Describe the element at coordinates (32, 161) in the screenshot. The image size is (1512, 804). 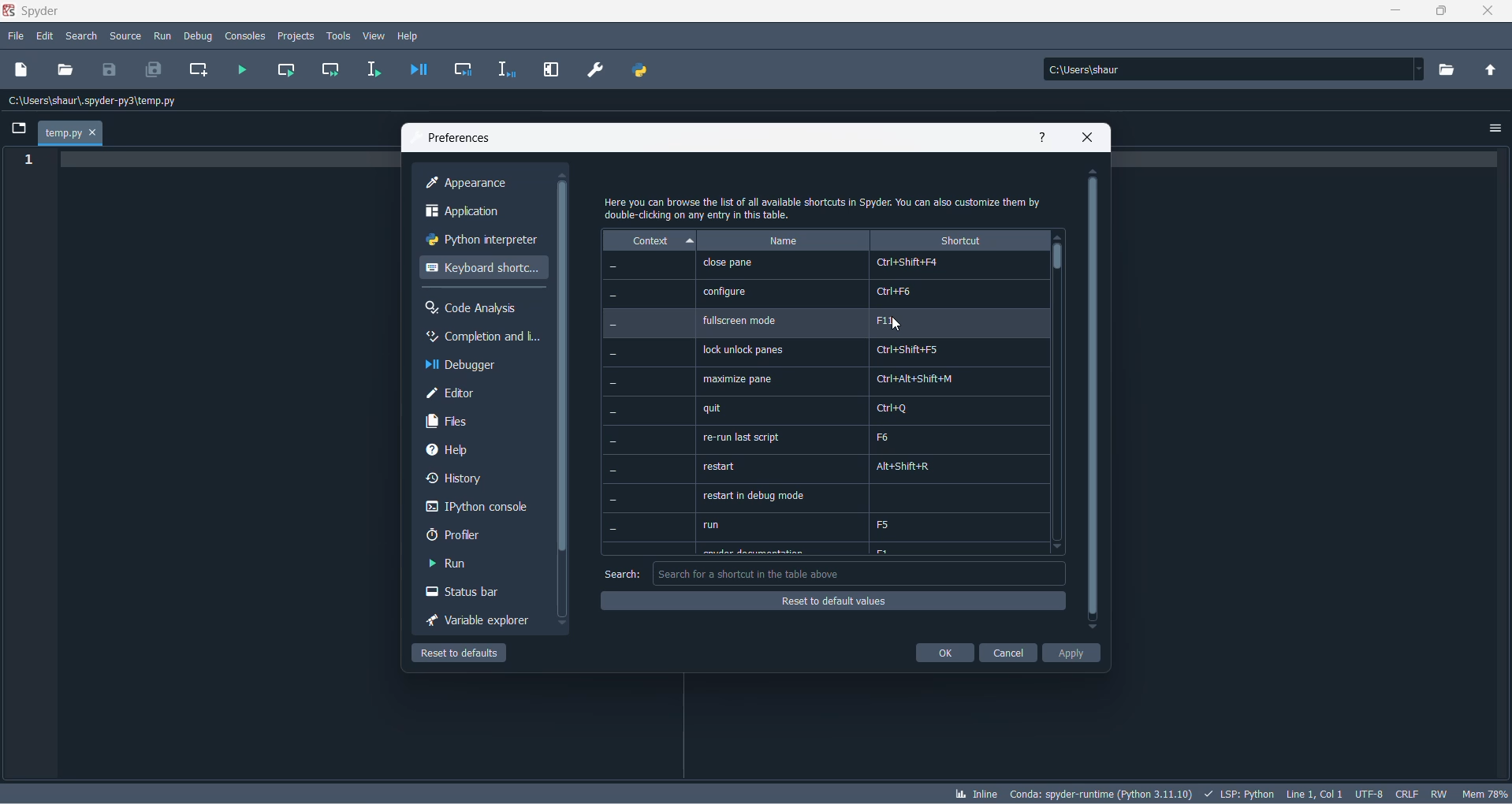
I see `line number` at that location.